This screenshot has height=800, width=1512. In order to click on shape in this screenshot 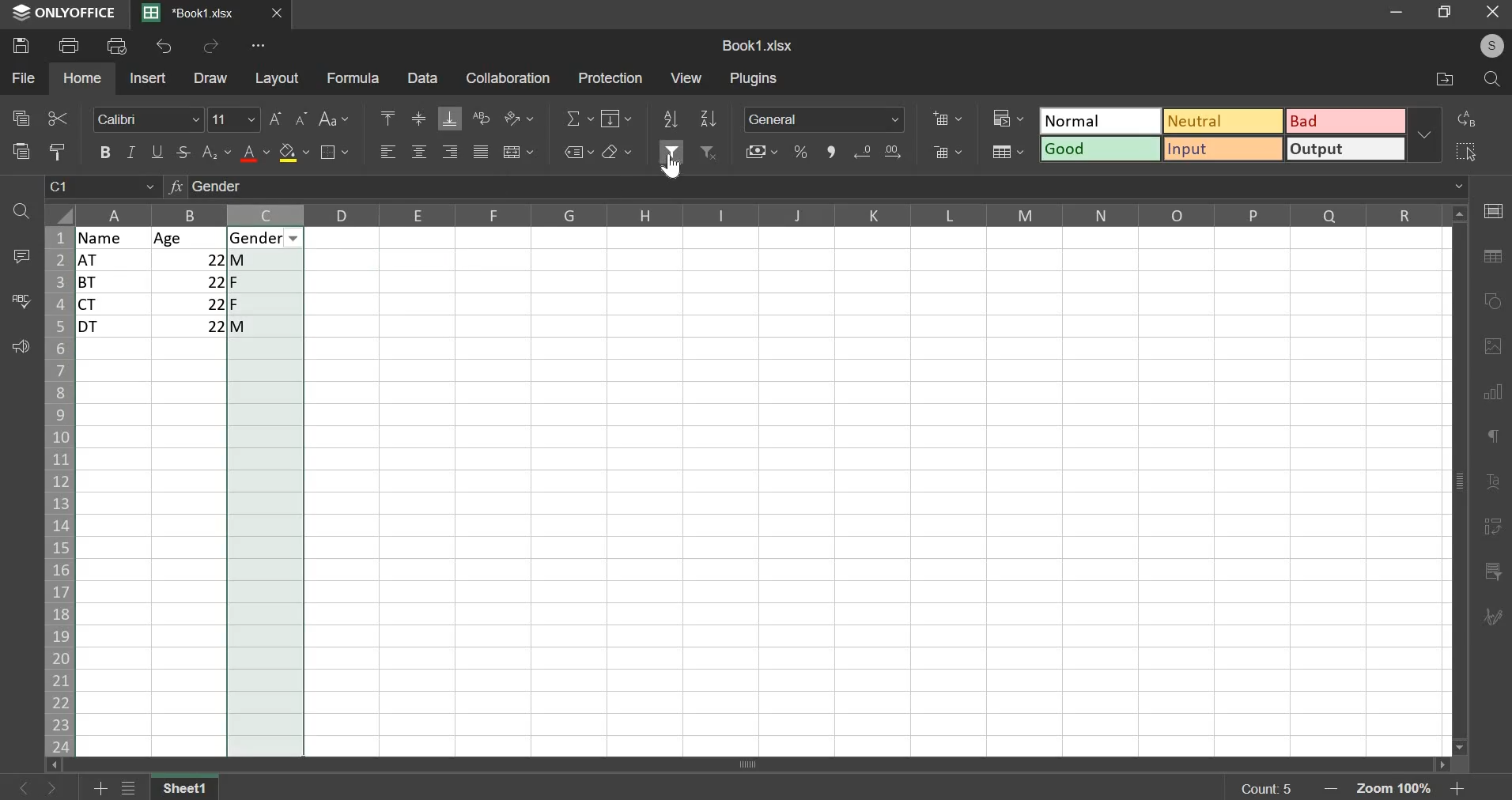, I will do `click(1490, 300)`.